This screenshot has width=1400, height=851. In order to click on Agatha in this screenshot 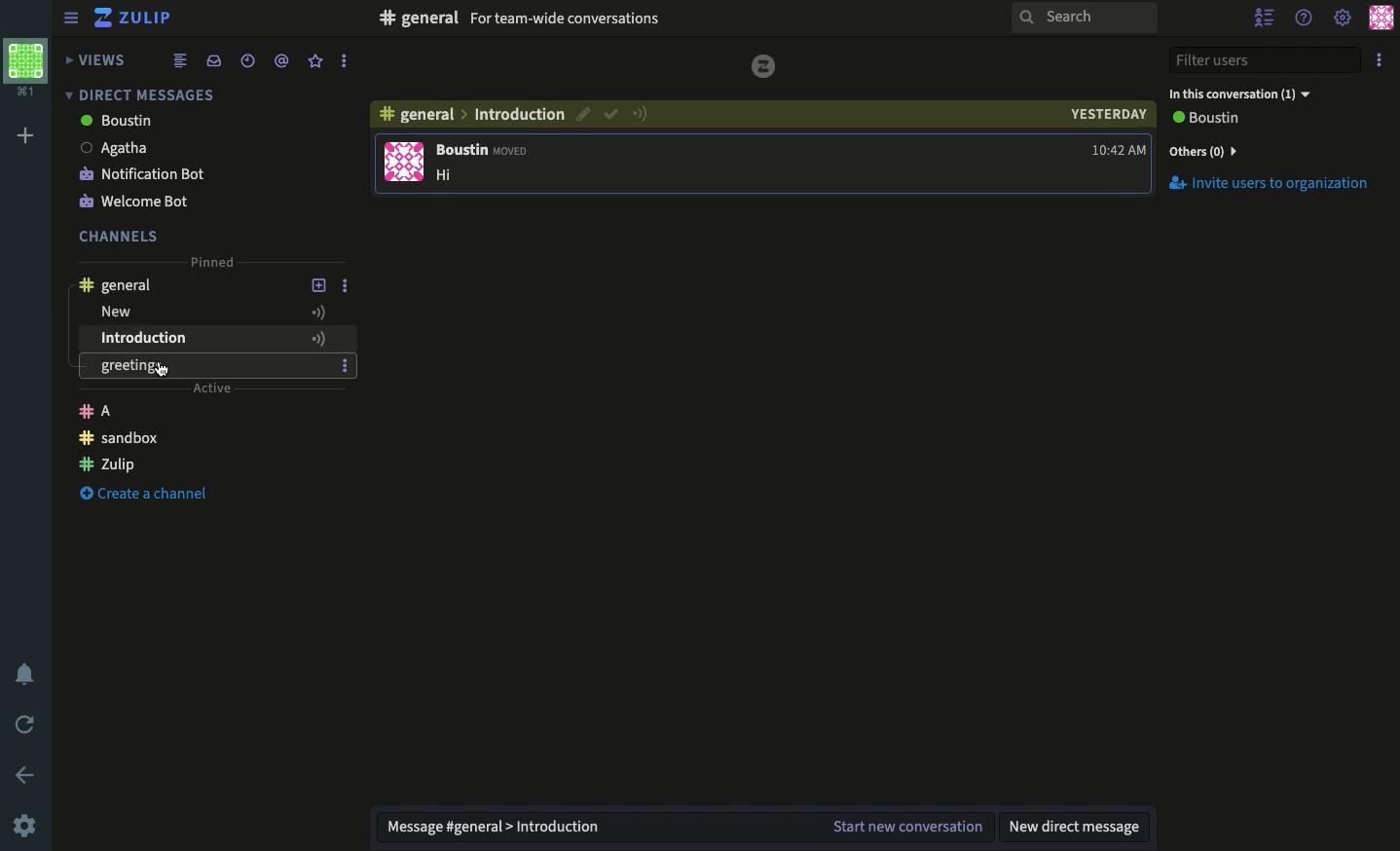, I will do `click(185, 147)`.